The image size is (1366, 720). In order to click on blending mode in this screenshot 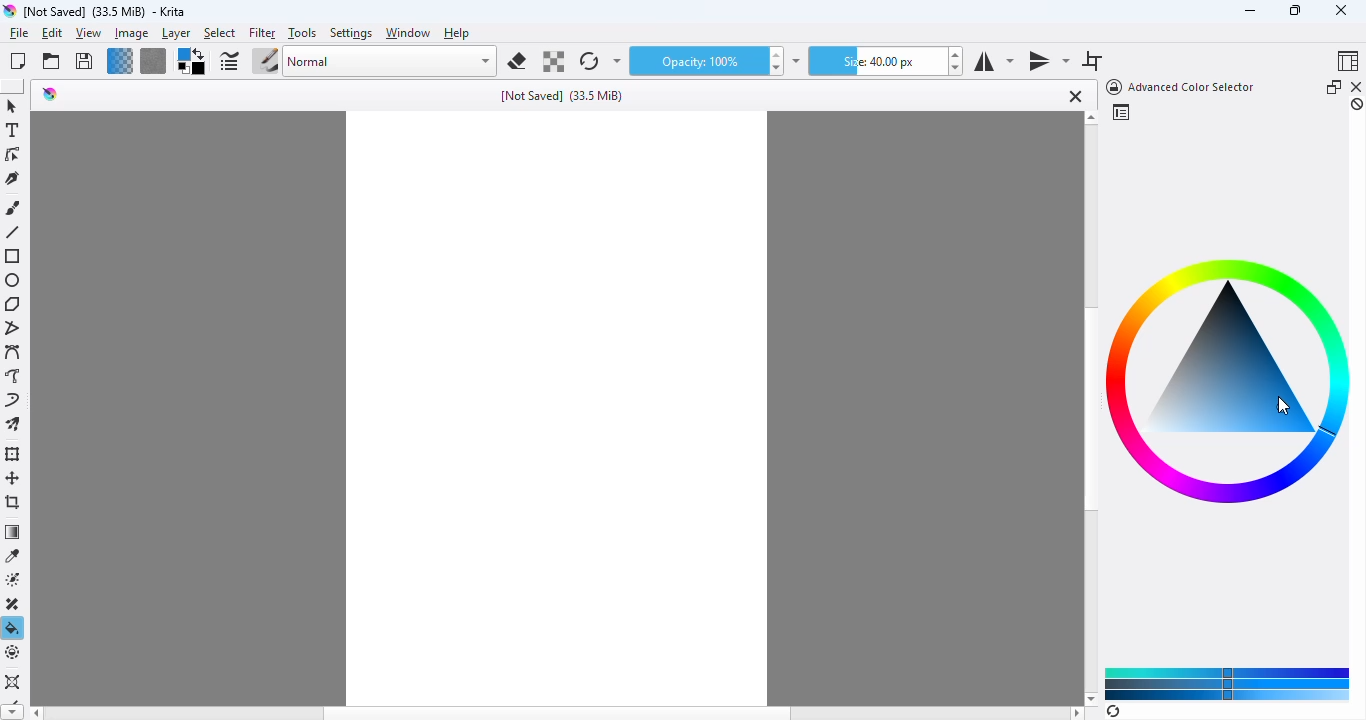, I will do `click(391, 62)`.